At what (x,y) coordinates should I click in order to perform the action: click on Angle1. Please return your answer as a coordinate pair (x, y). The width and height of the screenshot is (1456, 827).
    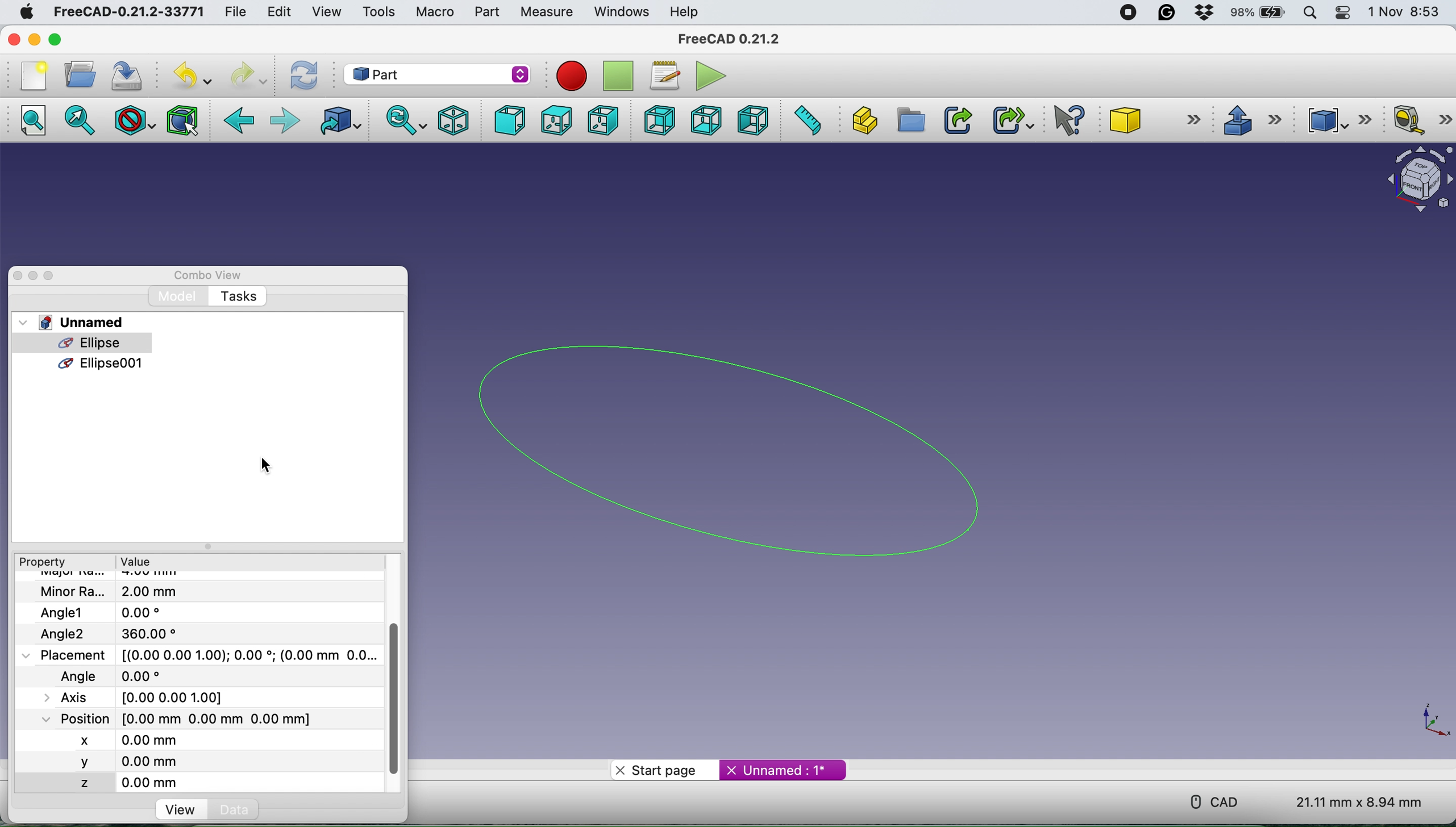
    Looking at the image, I should click on (103, 612).